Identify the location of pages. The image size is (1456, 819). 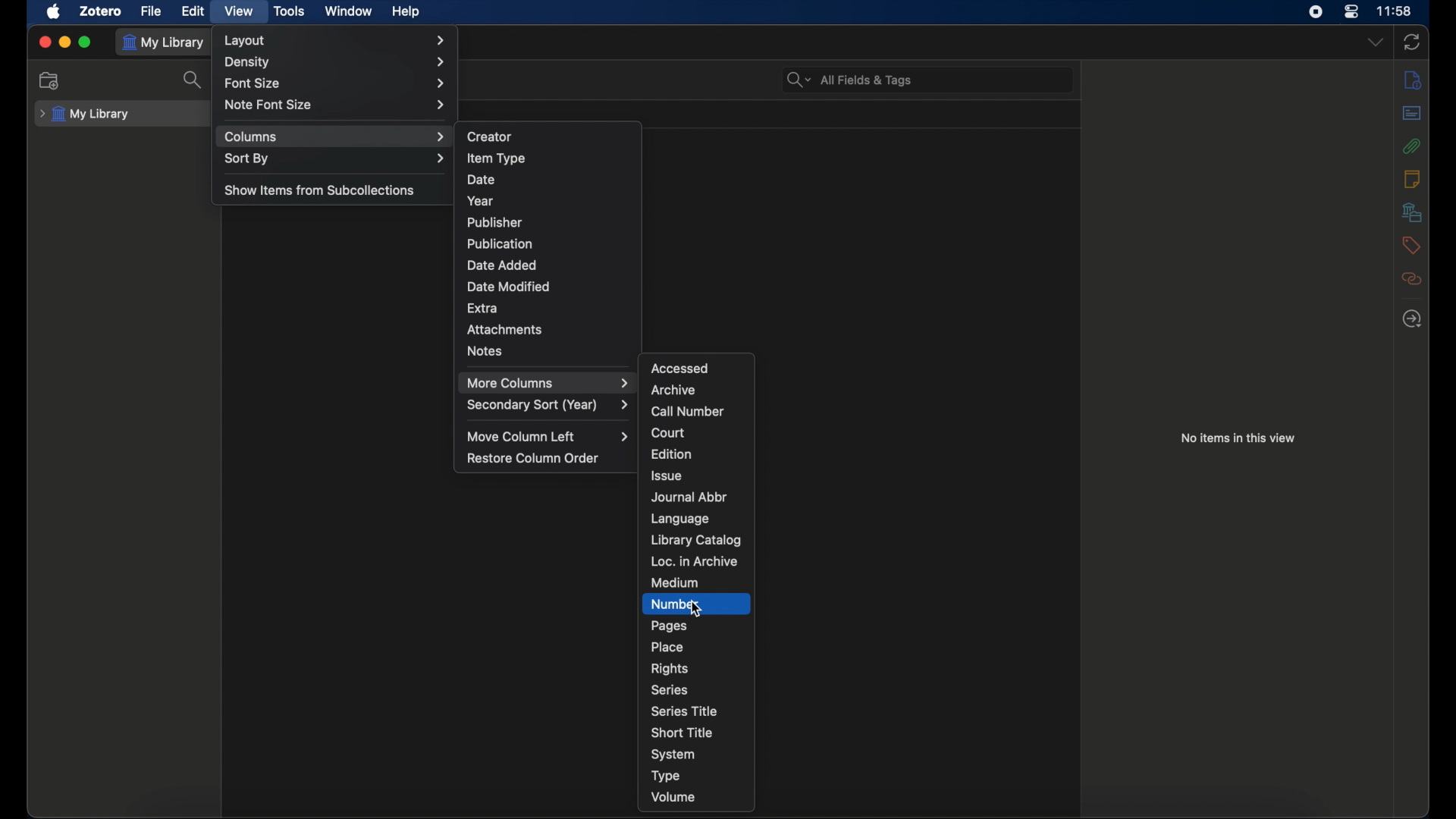
(670, 625).